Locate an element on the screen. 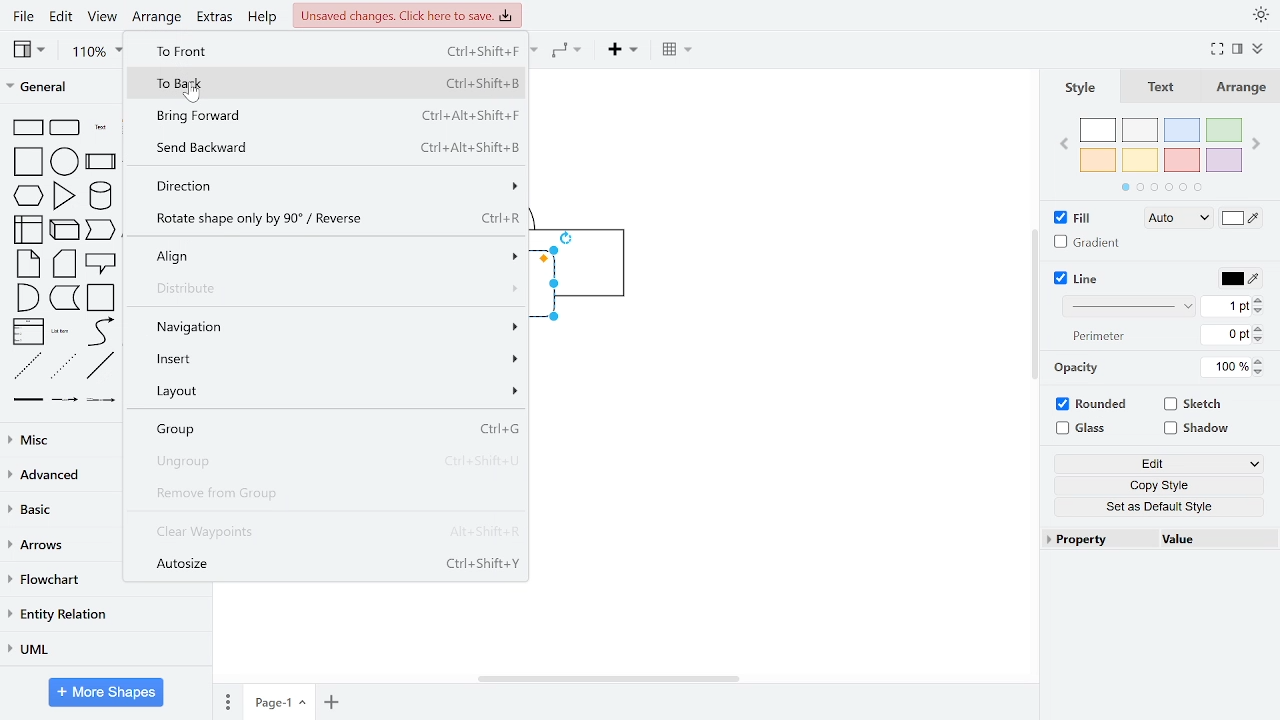 The width and height of the screenshot is (1280, 720). increase perimeter is located at coordinates (1259, 328).